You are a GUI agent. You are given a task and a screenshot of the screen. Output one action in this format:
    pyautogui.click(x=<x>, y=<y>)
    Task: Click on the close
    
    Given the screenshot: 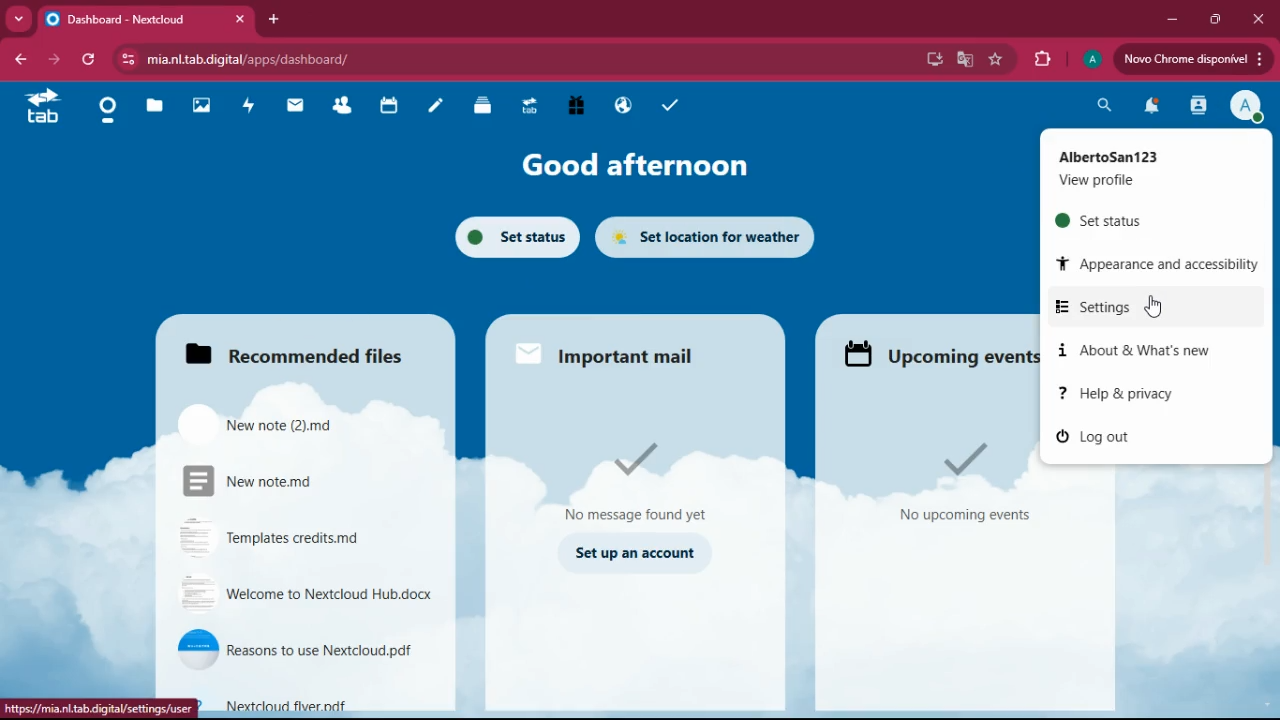 What is the action you would take?
    pyautogui.click(x=1259, y=20)
    